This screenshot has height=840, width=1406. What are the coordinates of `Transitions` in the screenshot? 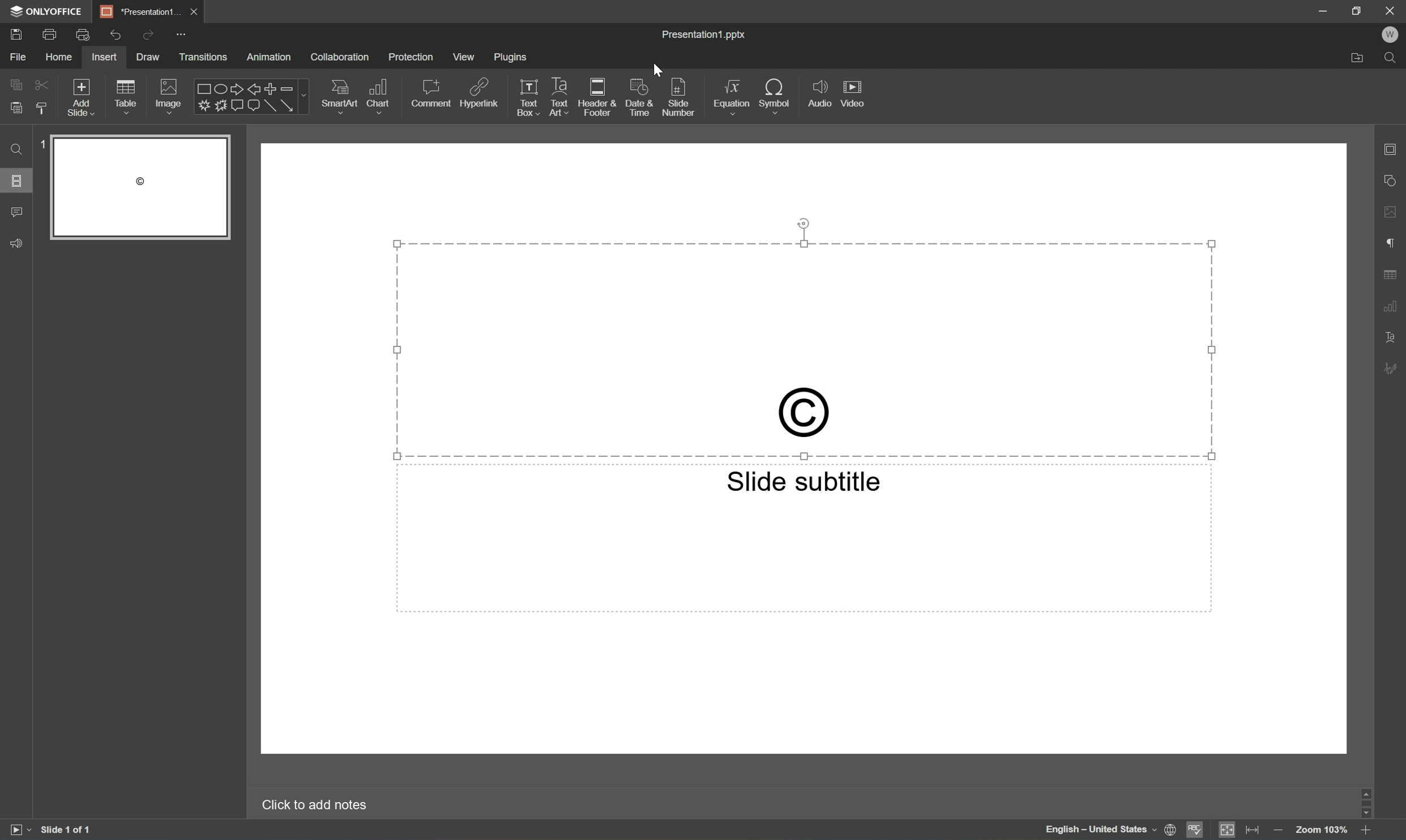 It's located at (203, 58).